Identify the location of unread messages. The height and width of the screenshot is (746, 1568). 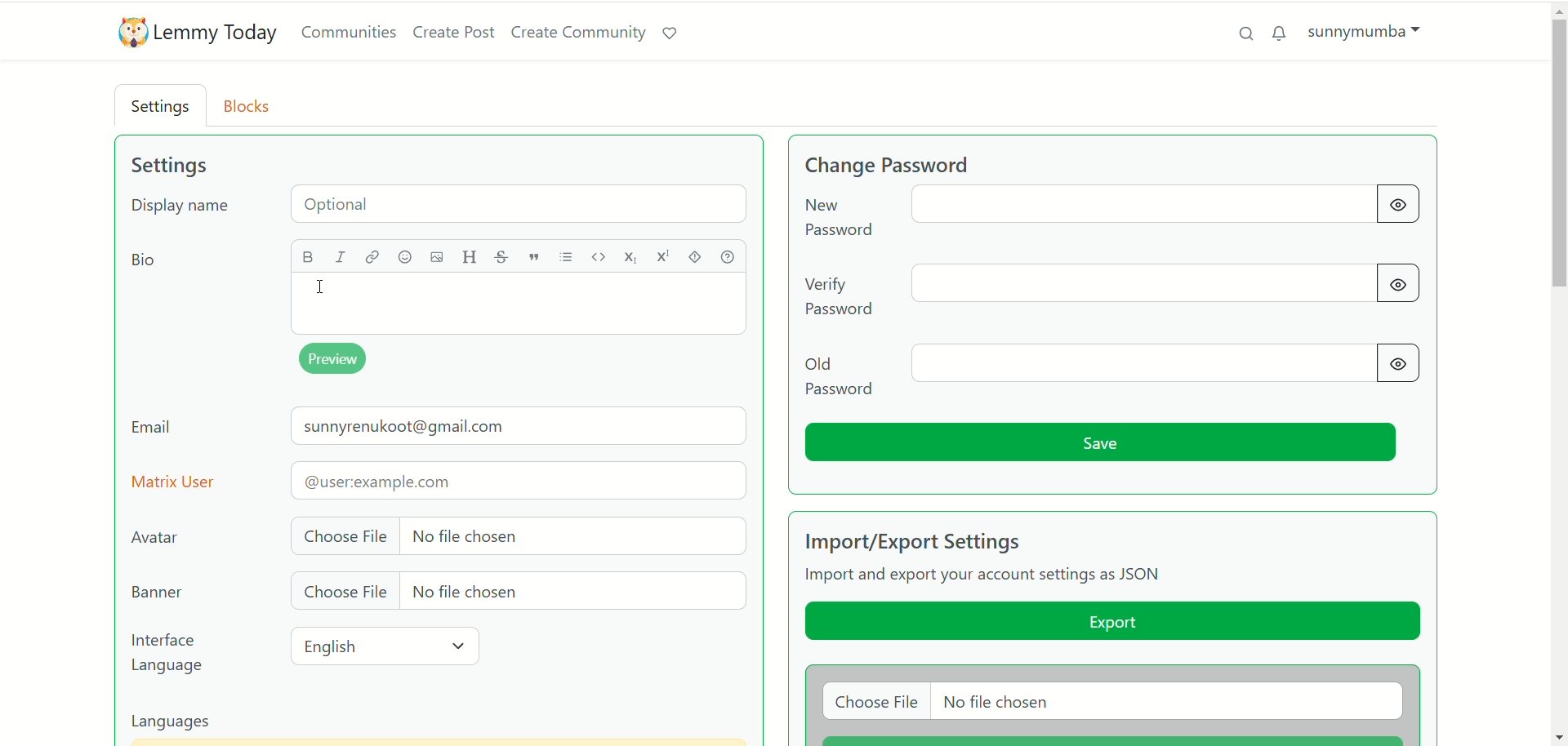
(1280, 33).